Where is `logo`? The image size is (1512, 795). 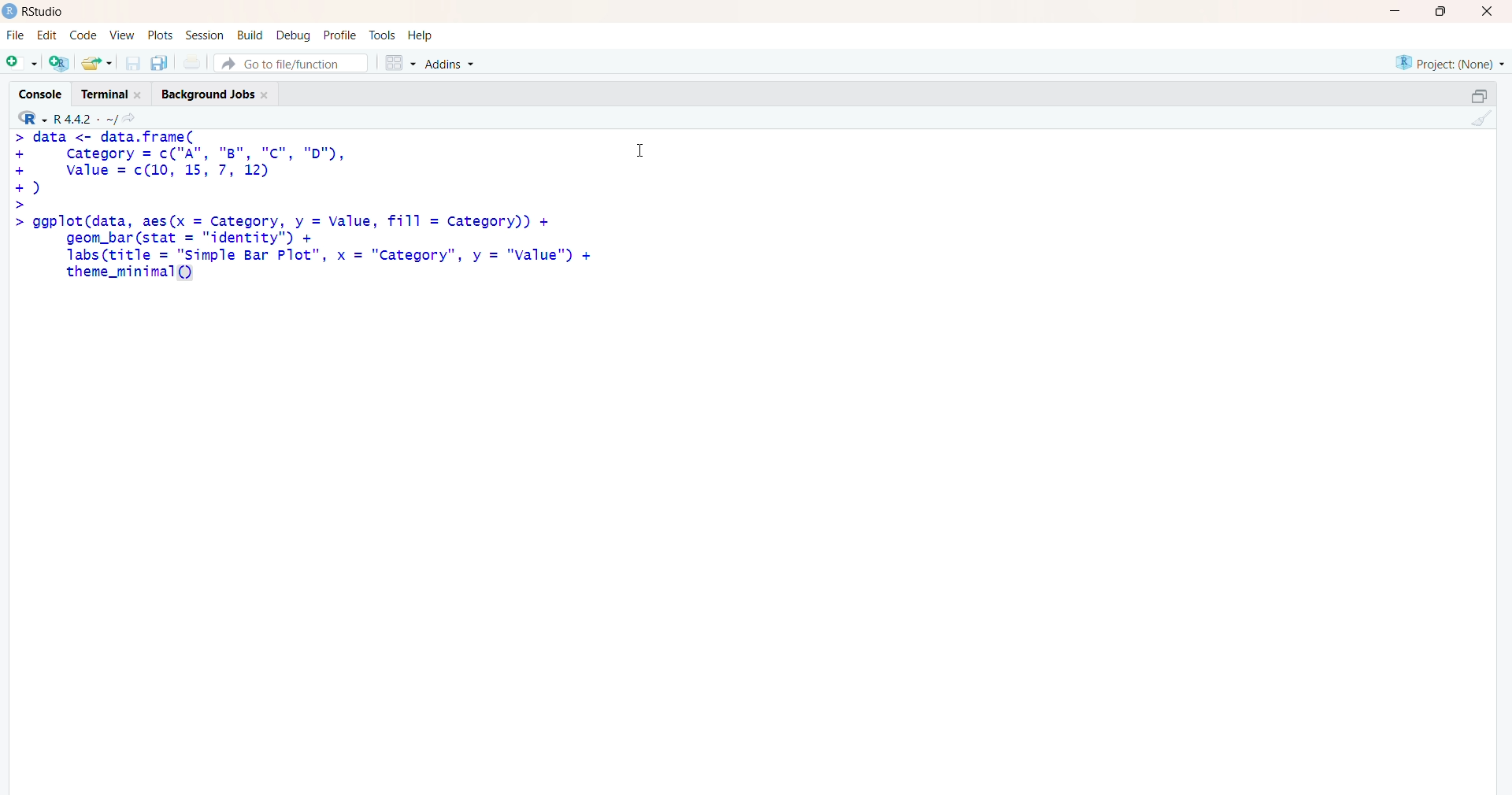 logo is located at coordinates (10, 11).